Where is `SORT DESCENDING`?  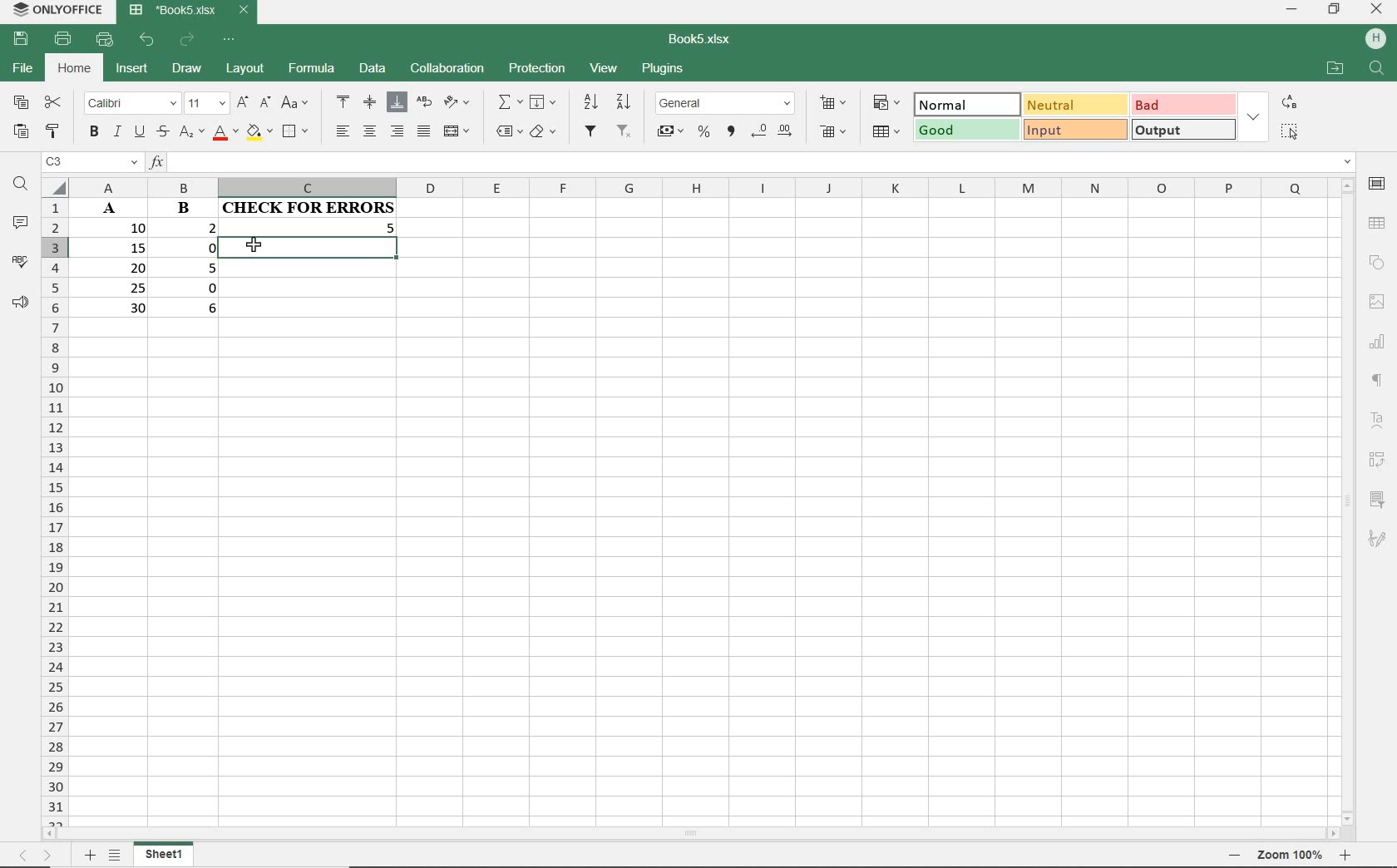 SORT DESCENDING is located at coordinates (626, 101).